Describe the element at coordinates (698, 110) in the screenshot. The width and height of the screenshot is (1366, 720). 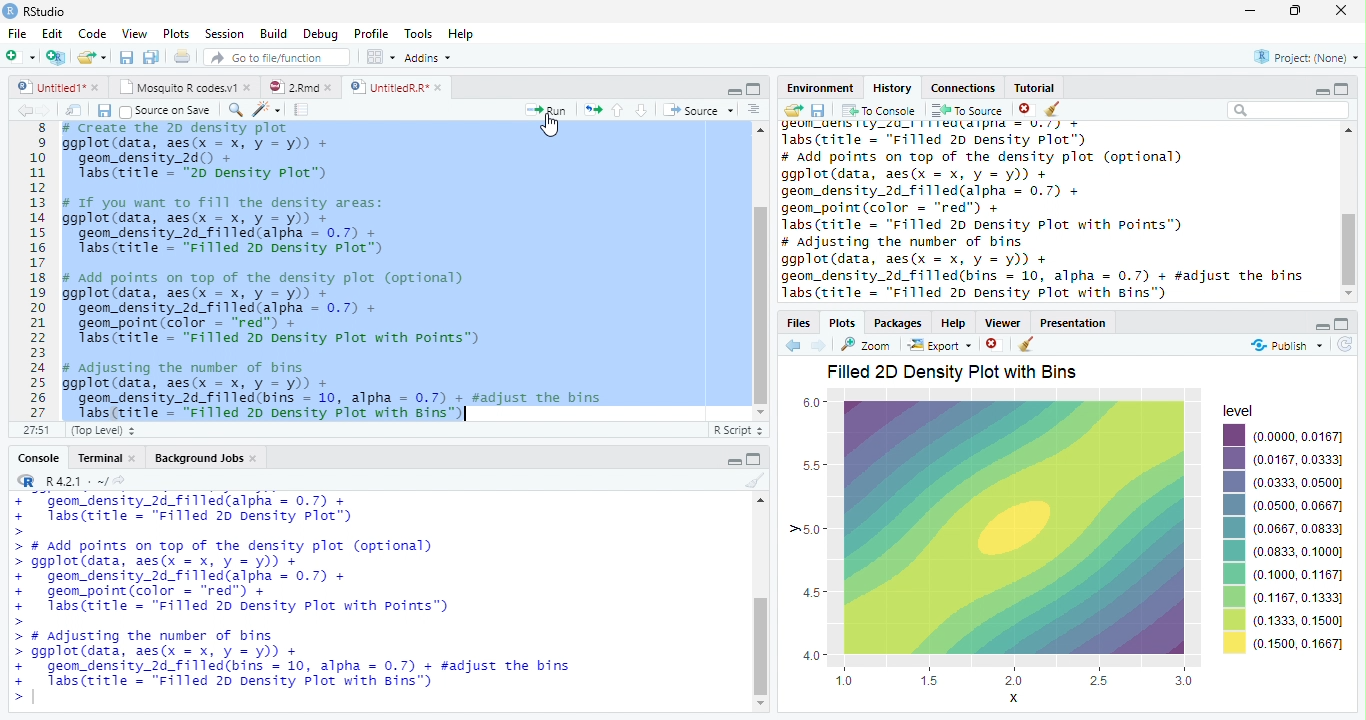
I see `Source` at that location.